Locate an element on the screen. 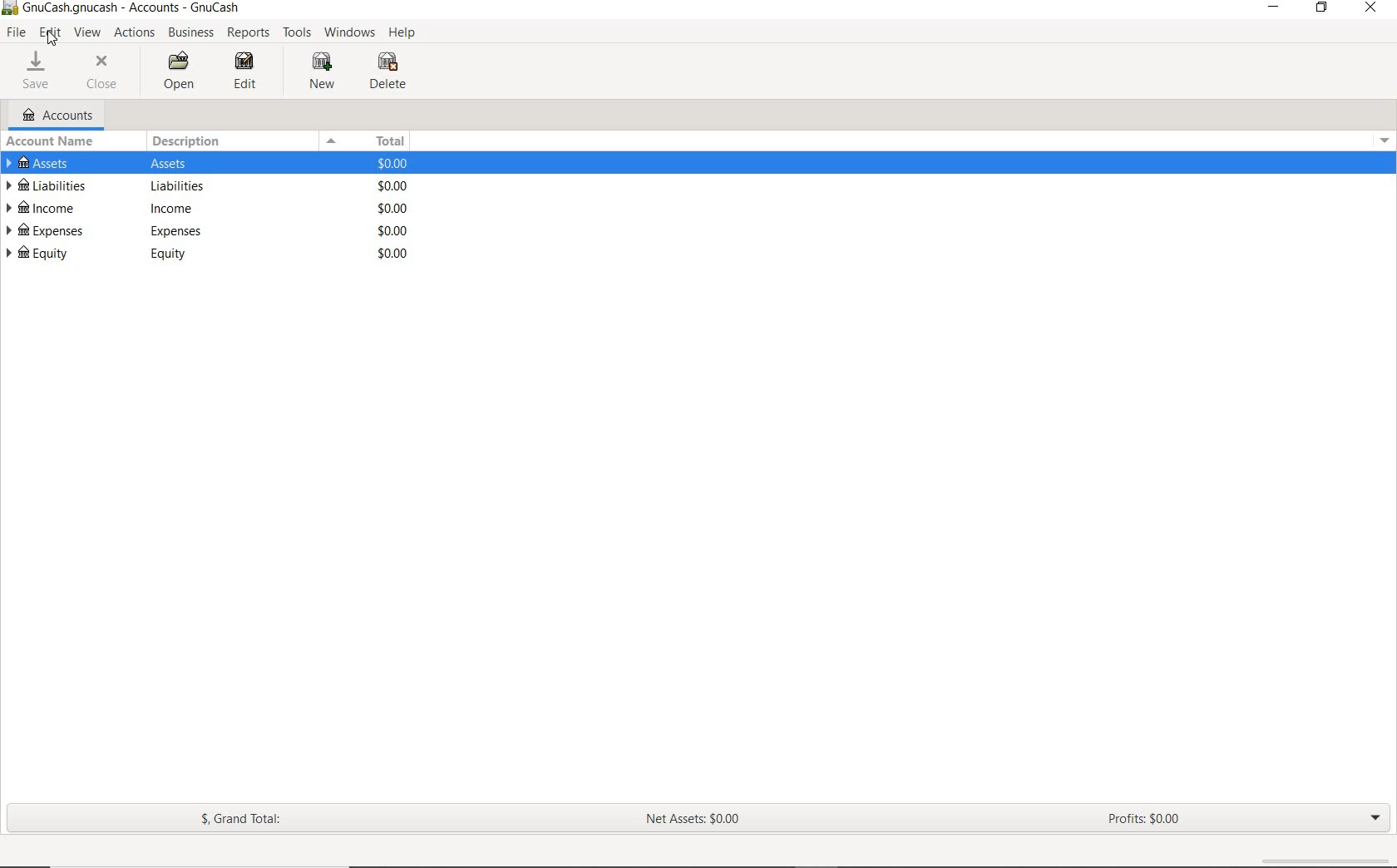 This screenshot has height=868, width=1397. ACTIONS is located at coordinates (136, 32).